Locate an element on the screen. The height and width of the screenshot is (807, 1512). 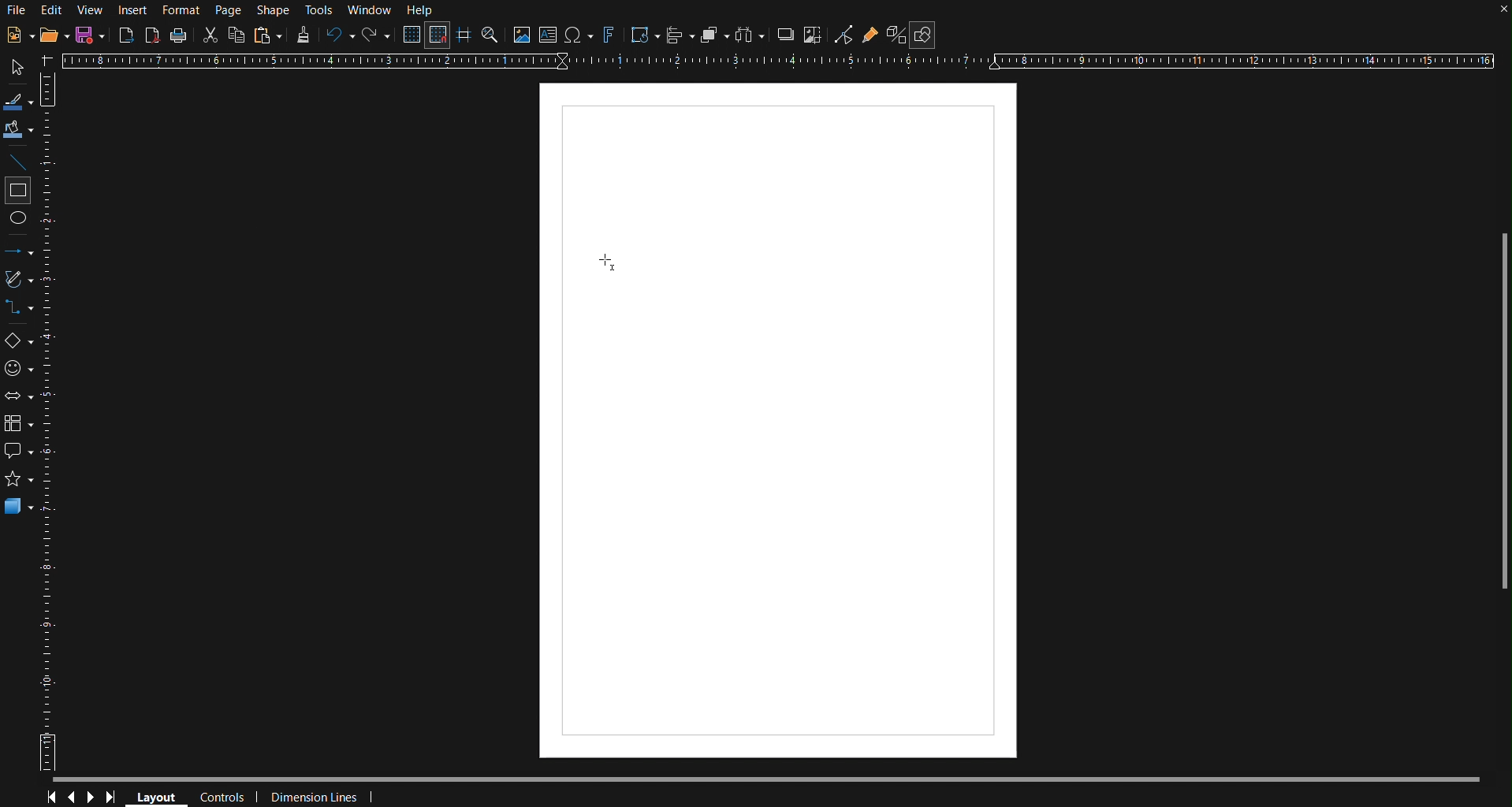
Page is located at coordinates (228, 10).